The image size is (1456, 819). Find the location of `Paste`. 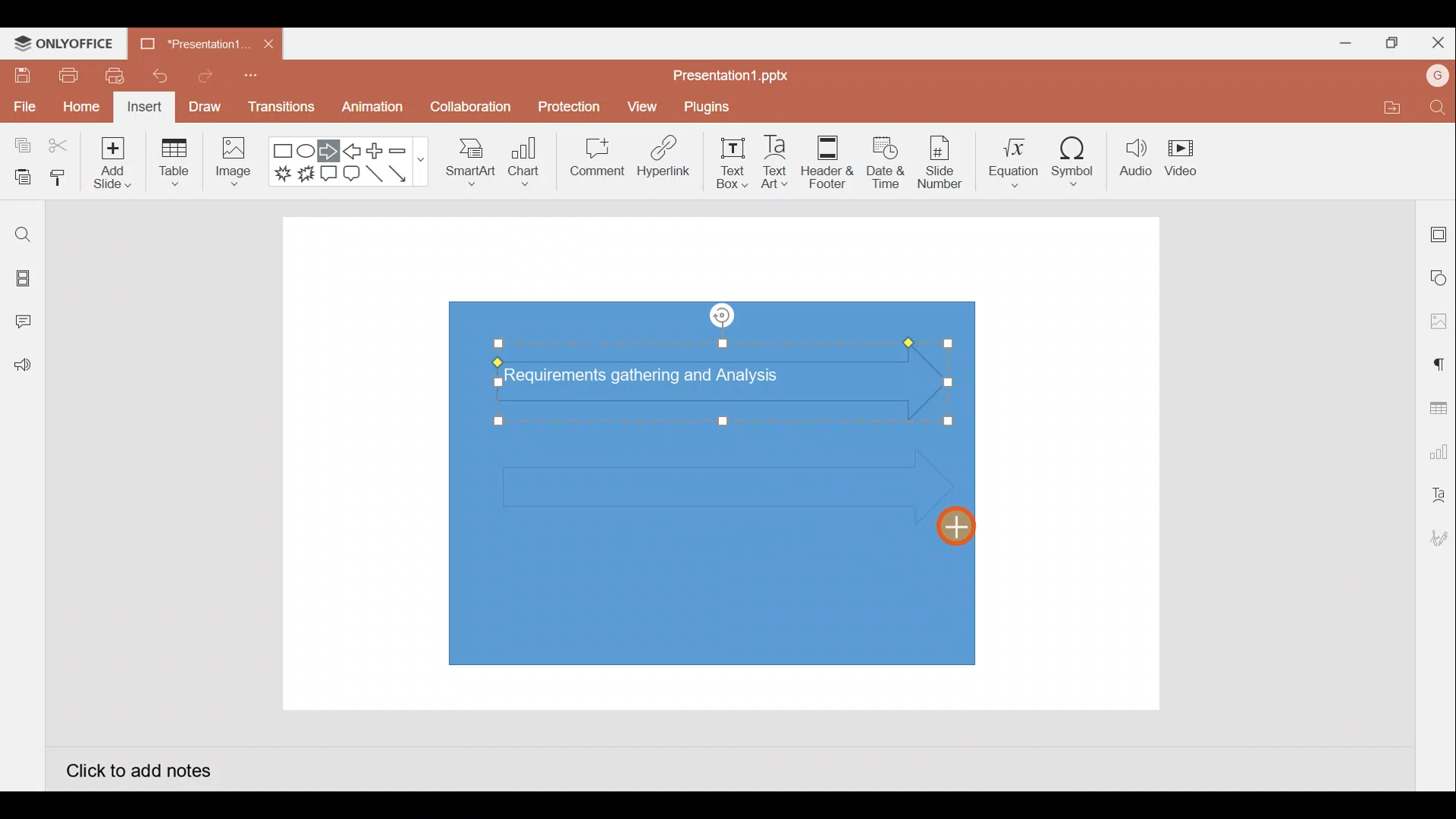

Paste is located at coordinates (19, 178).